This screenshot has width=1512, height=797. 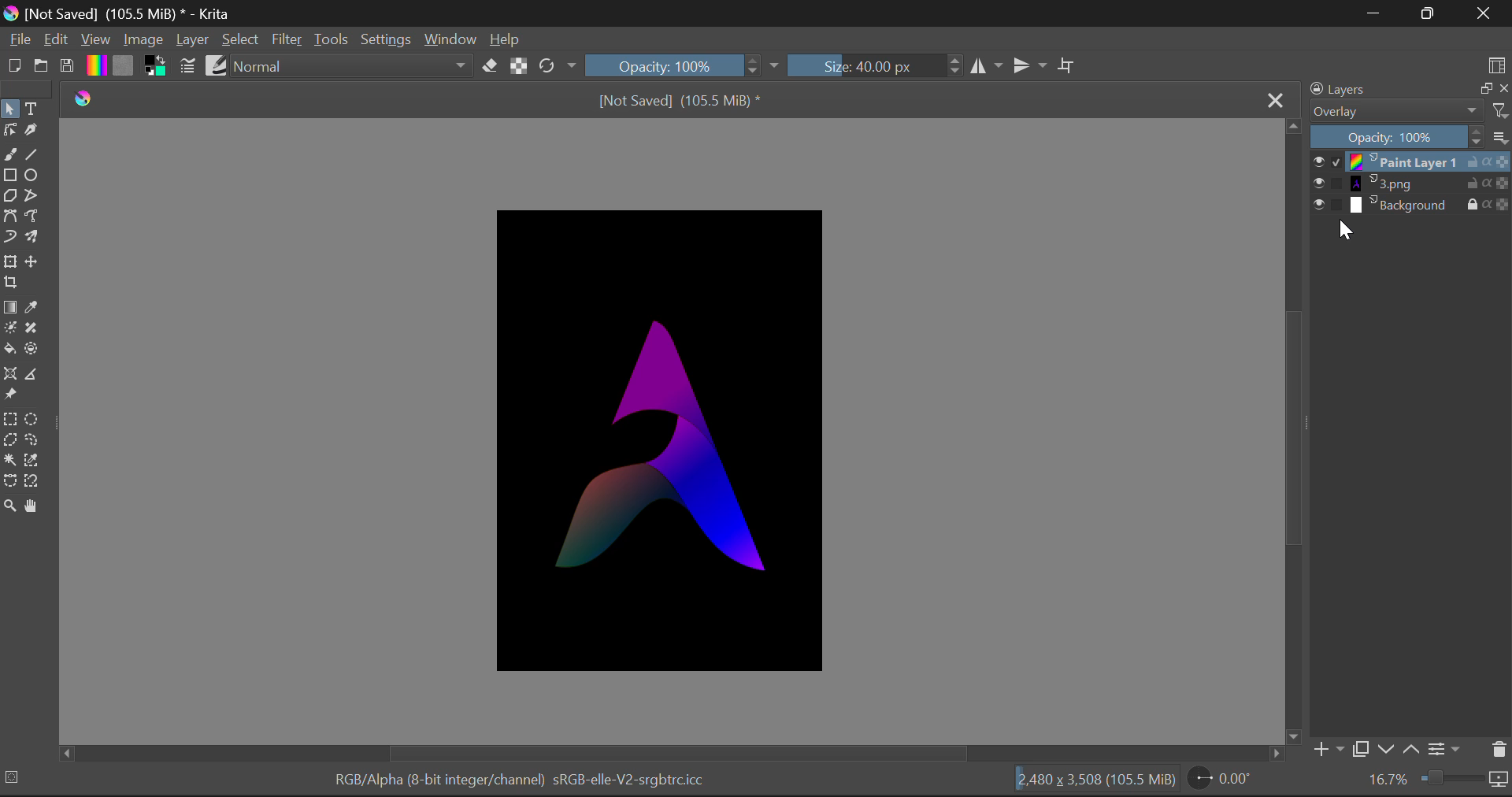 What do you see at coordinates (1386, 779) in the screenshot?
I see `16.7%` at bounding box center [1386, 779].